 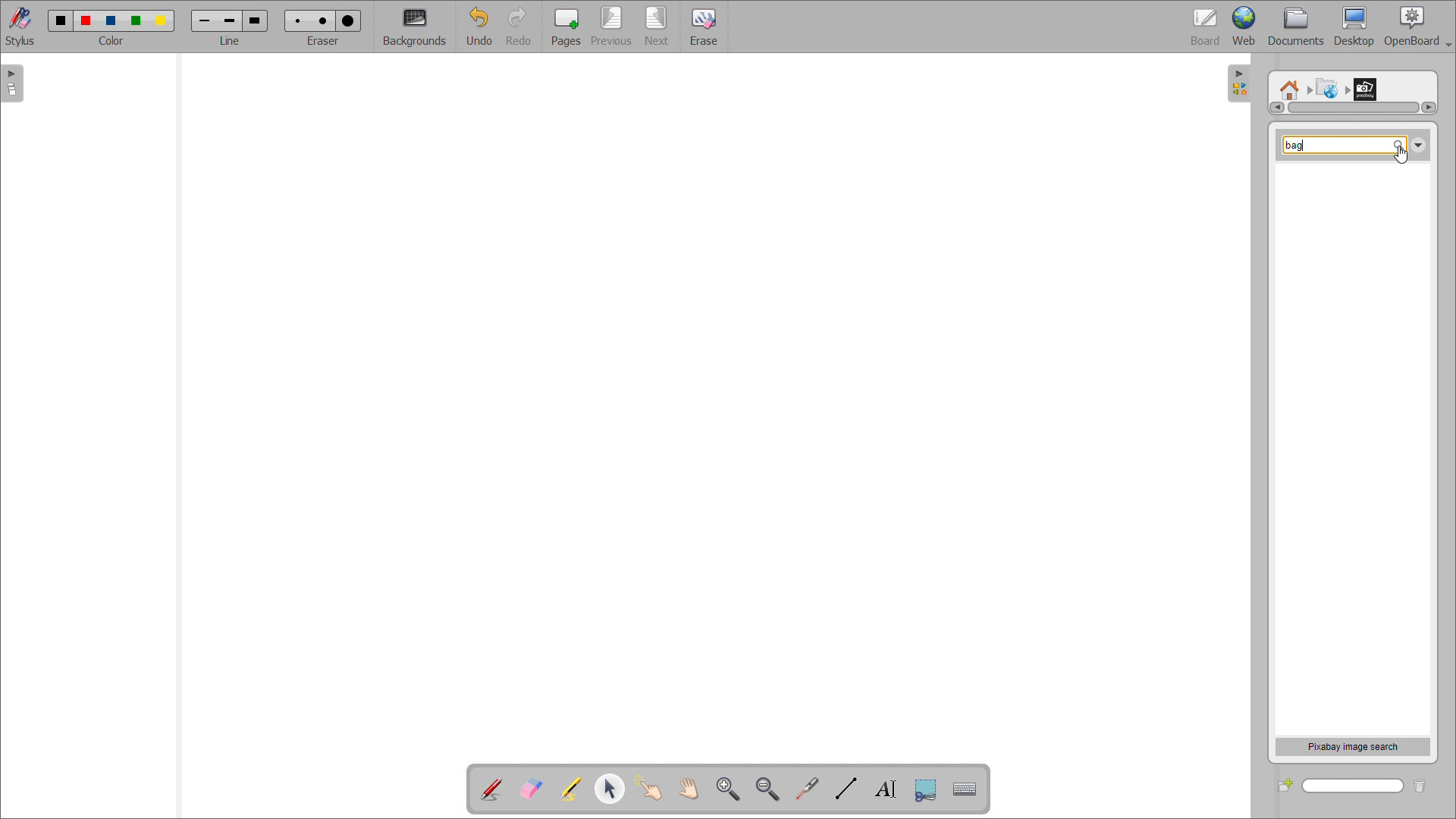 What do you see at coordinates (1426, 784) in the screenshot?
I see `delete` at bounding box center [1426, 784].